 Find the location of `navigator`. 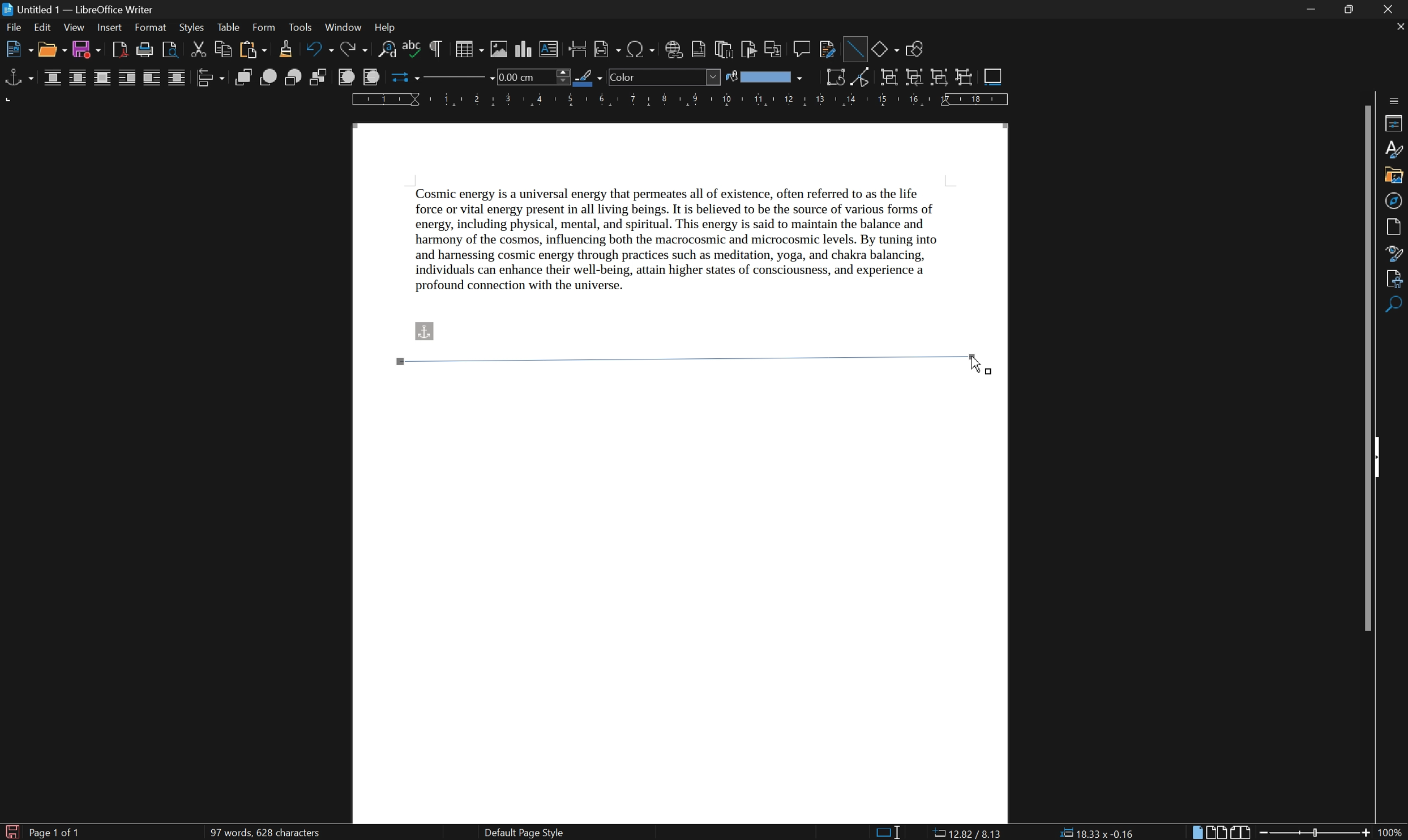

navigator is located at coordinates (1393, 201).